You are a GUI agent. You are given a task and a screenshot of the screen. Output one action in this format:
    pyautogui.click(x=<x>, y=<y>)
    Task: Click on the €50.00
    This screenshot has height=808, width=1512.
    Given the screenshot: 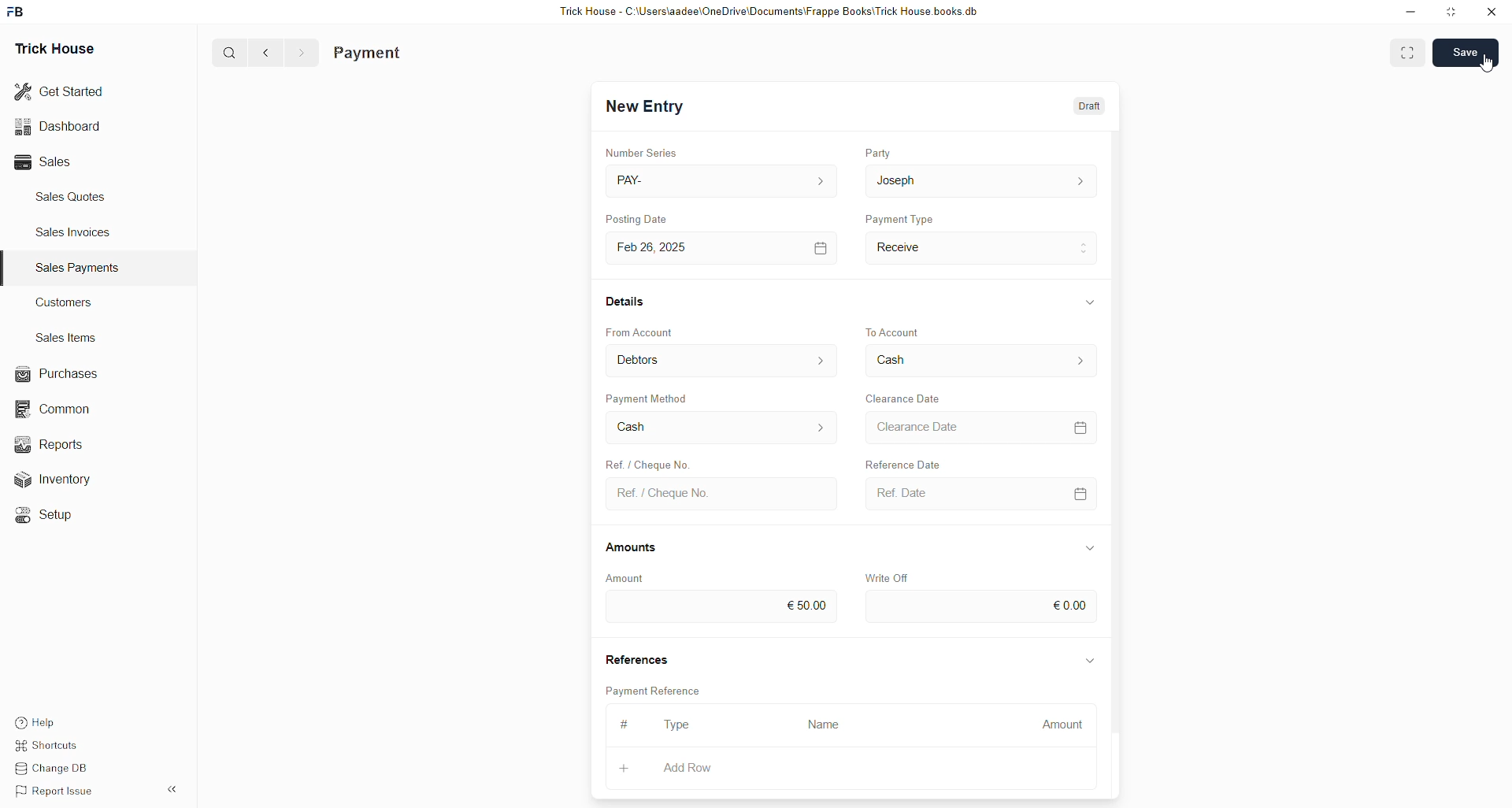 What is the action you would take?
    pyautogui.click(x=720, y=607)
    